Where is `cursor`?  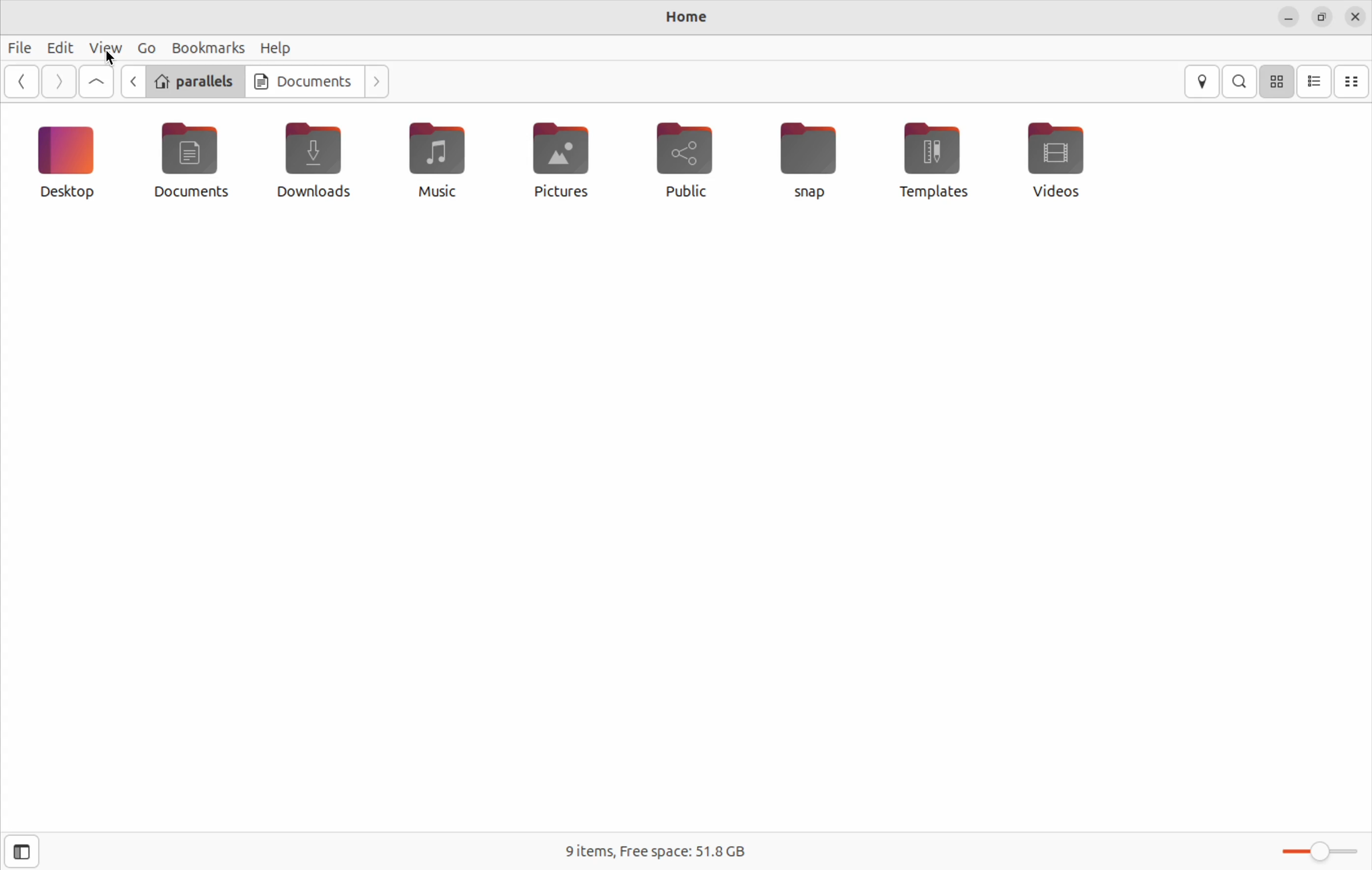
cursor is located at coordinates (113, 60).